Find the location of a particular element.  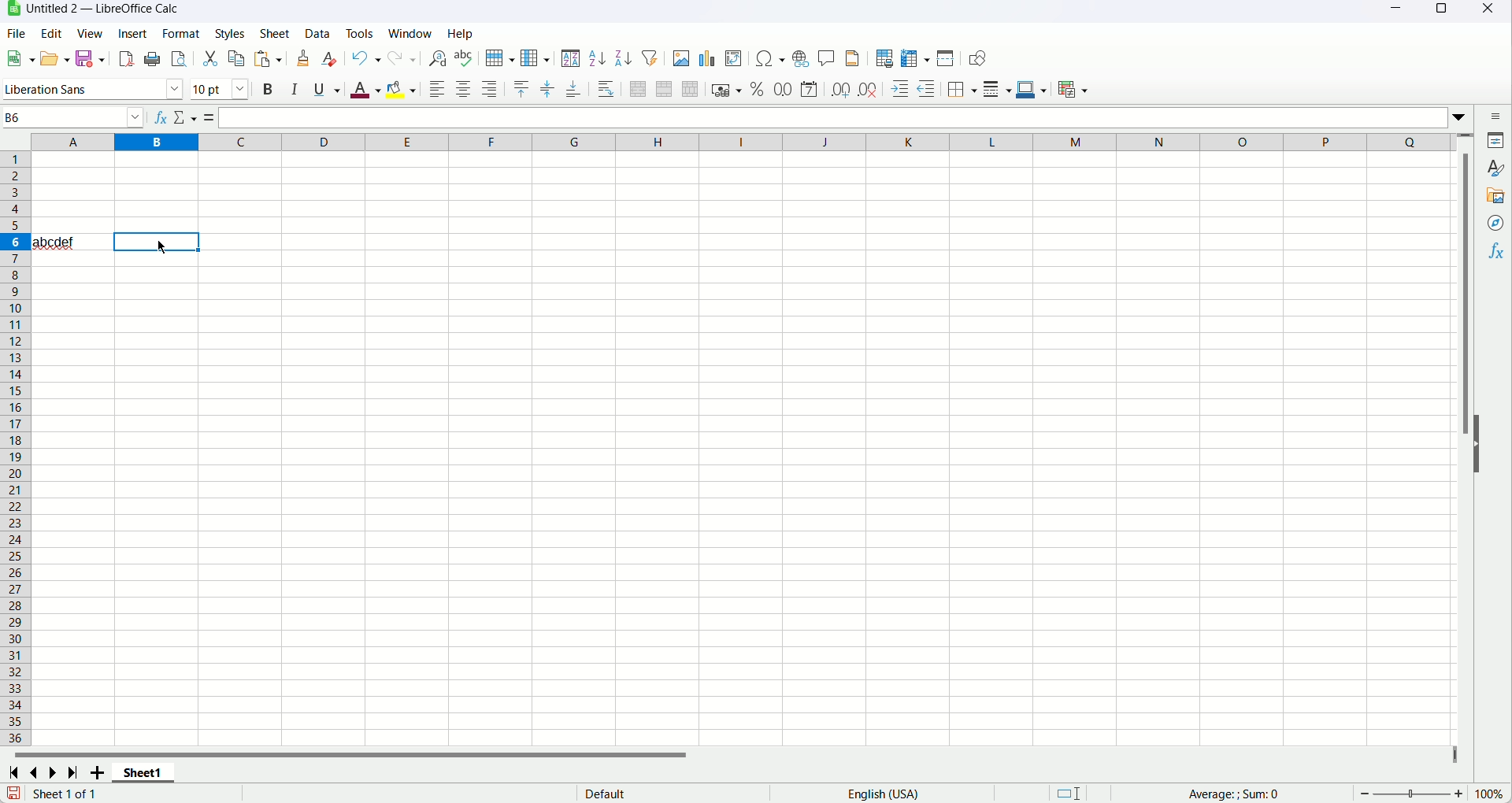

font color is located at coordinates (365, 90).